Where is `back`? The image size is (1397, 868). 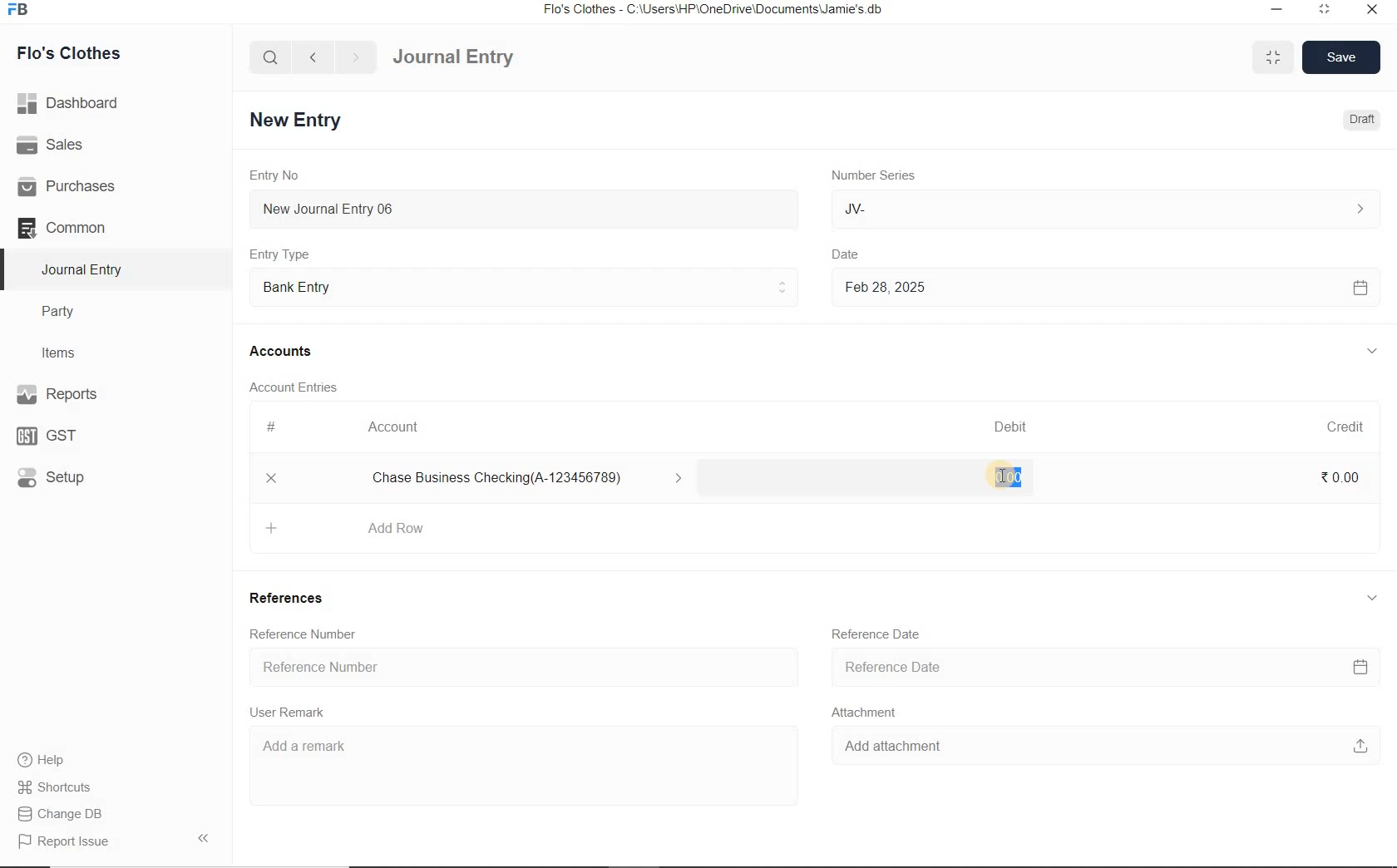 back is located at coordinates (313, 56).